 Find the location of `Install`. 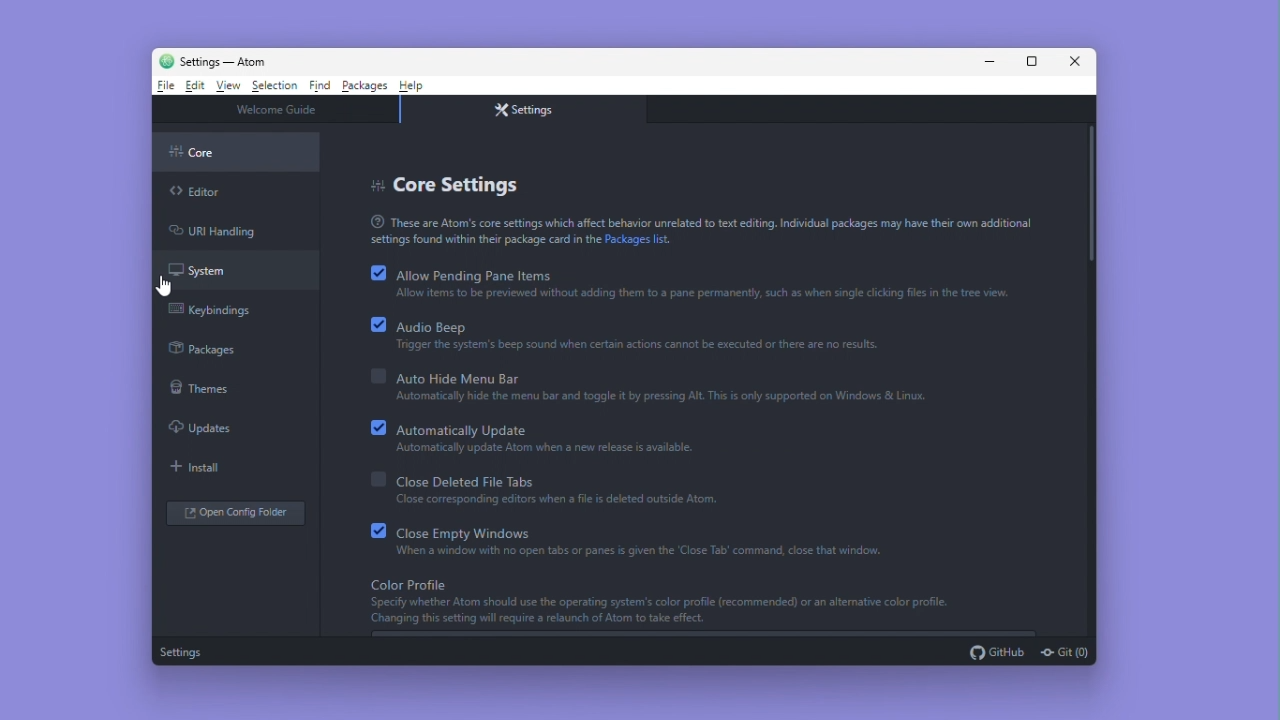

Install is located at coordinates (202, 468).